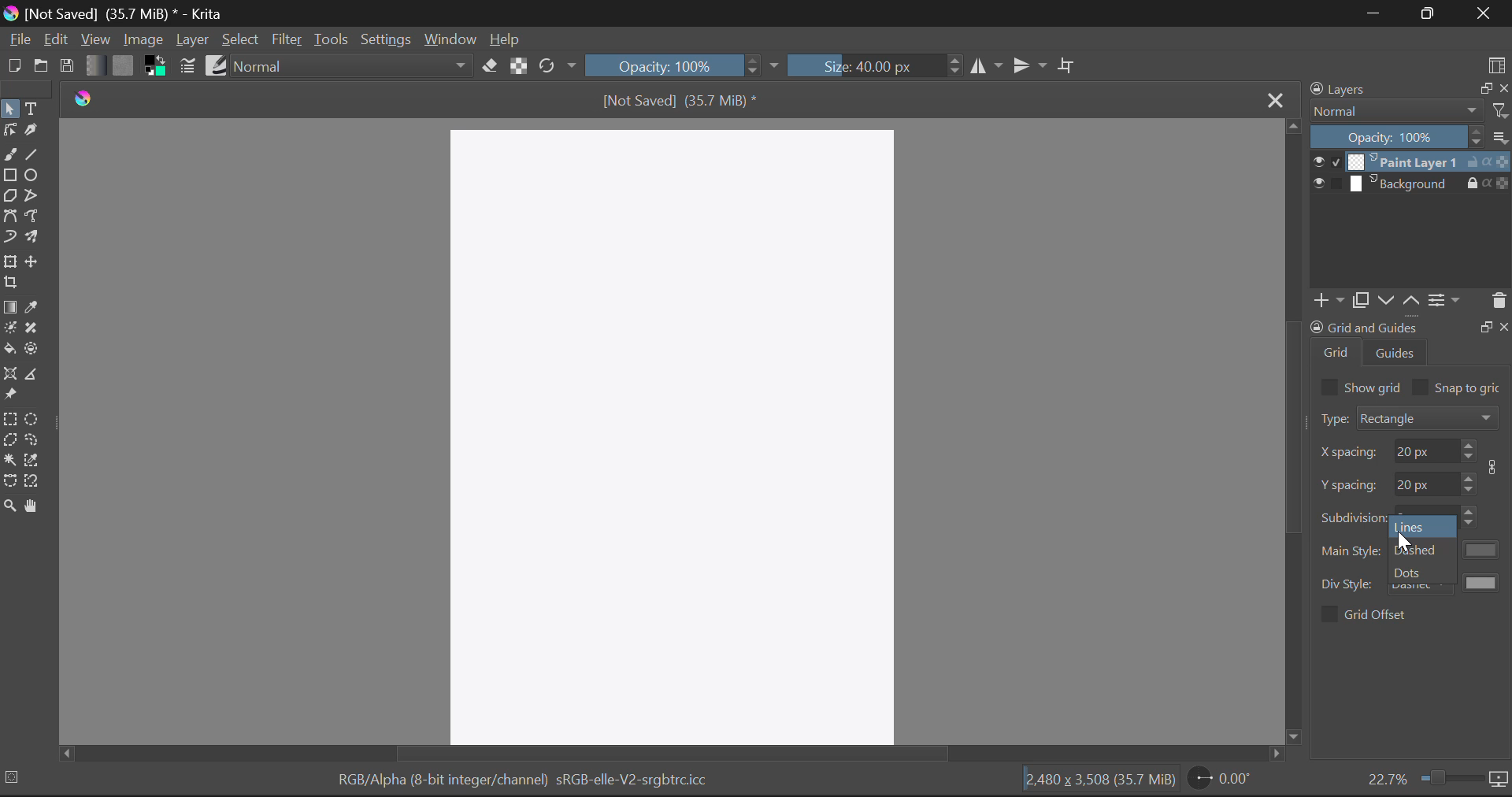 Image resolution: width=1512 pixels, height=797 pixels. What do you see at coordinates (1449, 777) in the screenshot?
I see `Zoom slider` at bounding box center [1449, 777].